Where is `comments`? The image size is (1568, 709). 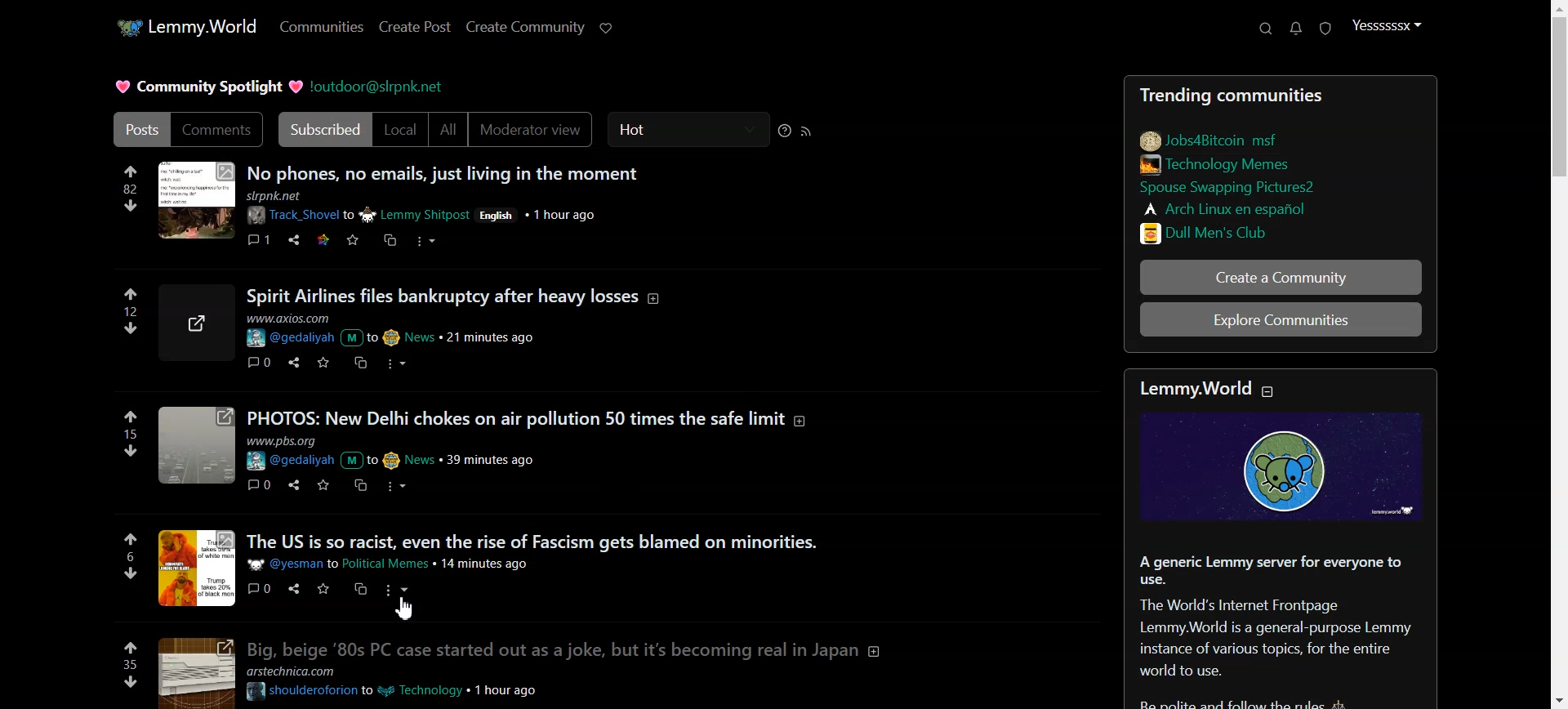 comments is located at coordinates (259, 238).